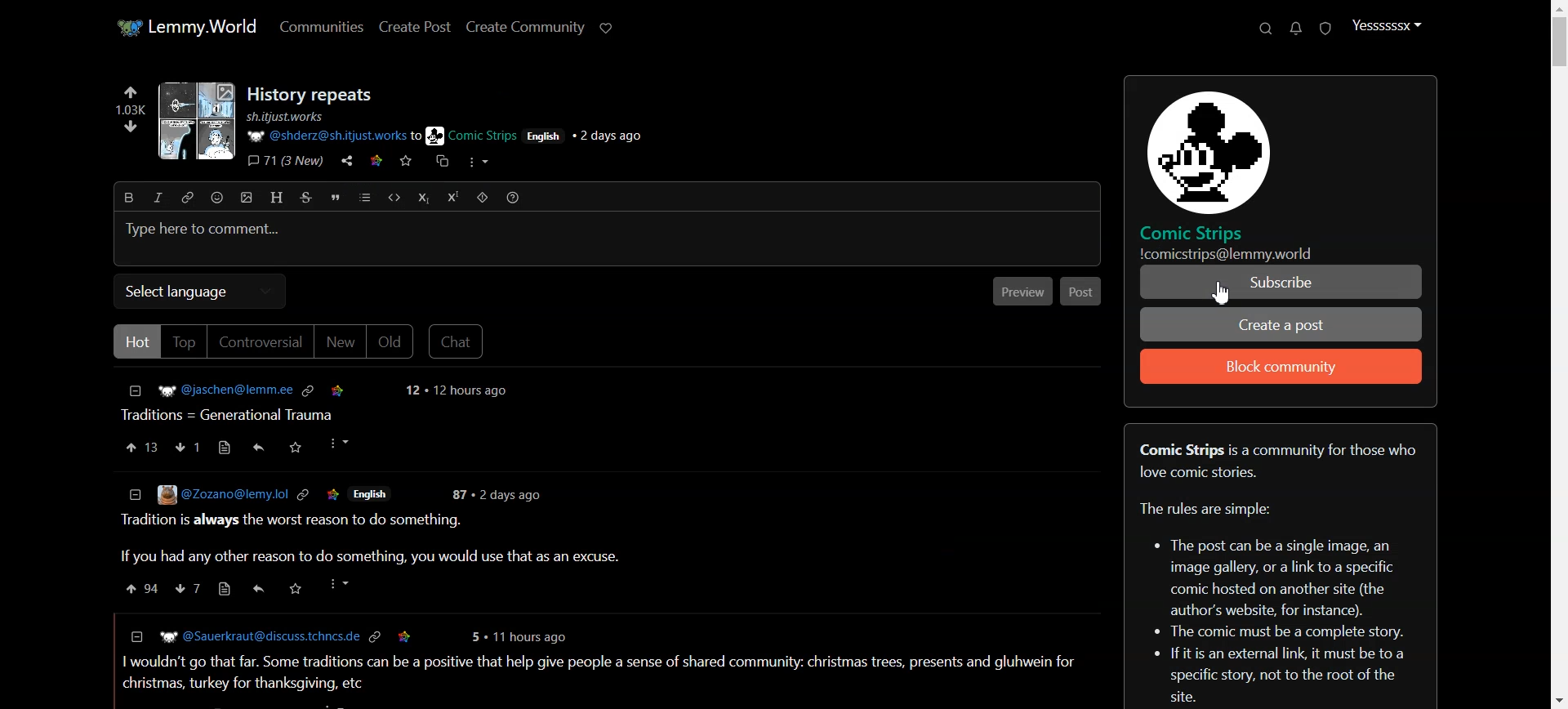  What do you see at coordinates (337, 444) in the screenshot?
I see `More` at bounding box center [337, 444].